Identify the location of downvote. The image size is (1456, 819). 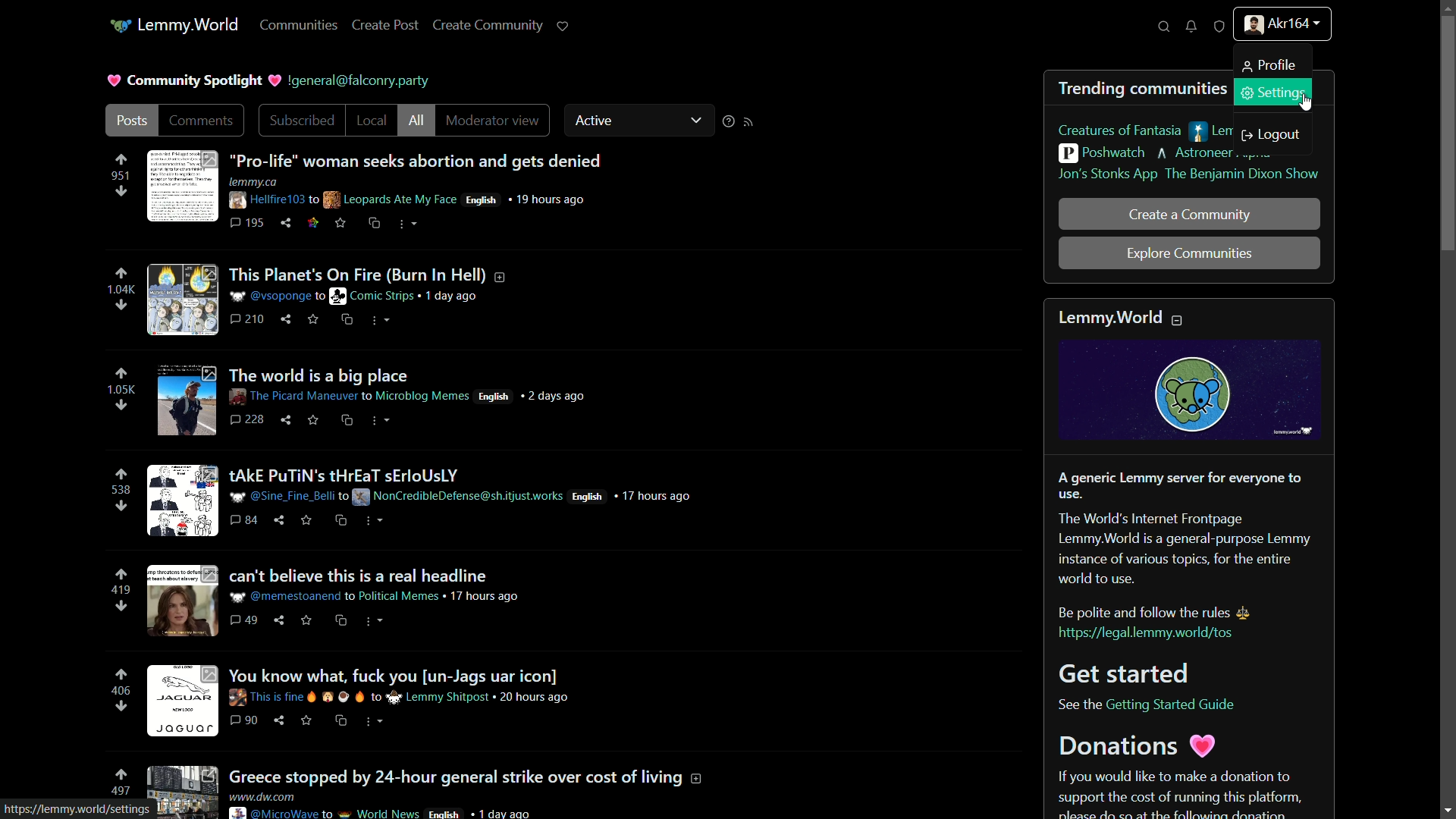
(121, 406).